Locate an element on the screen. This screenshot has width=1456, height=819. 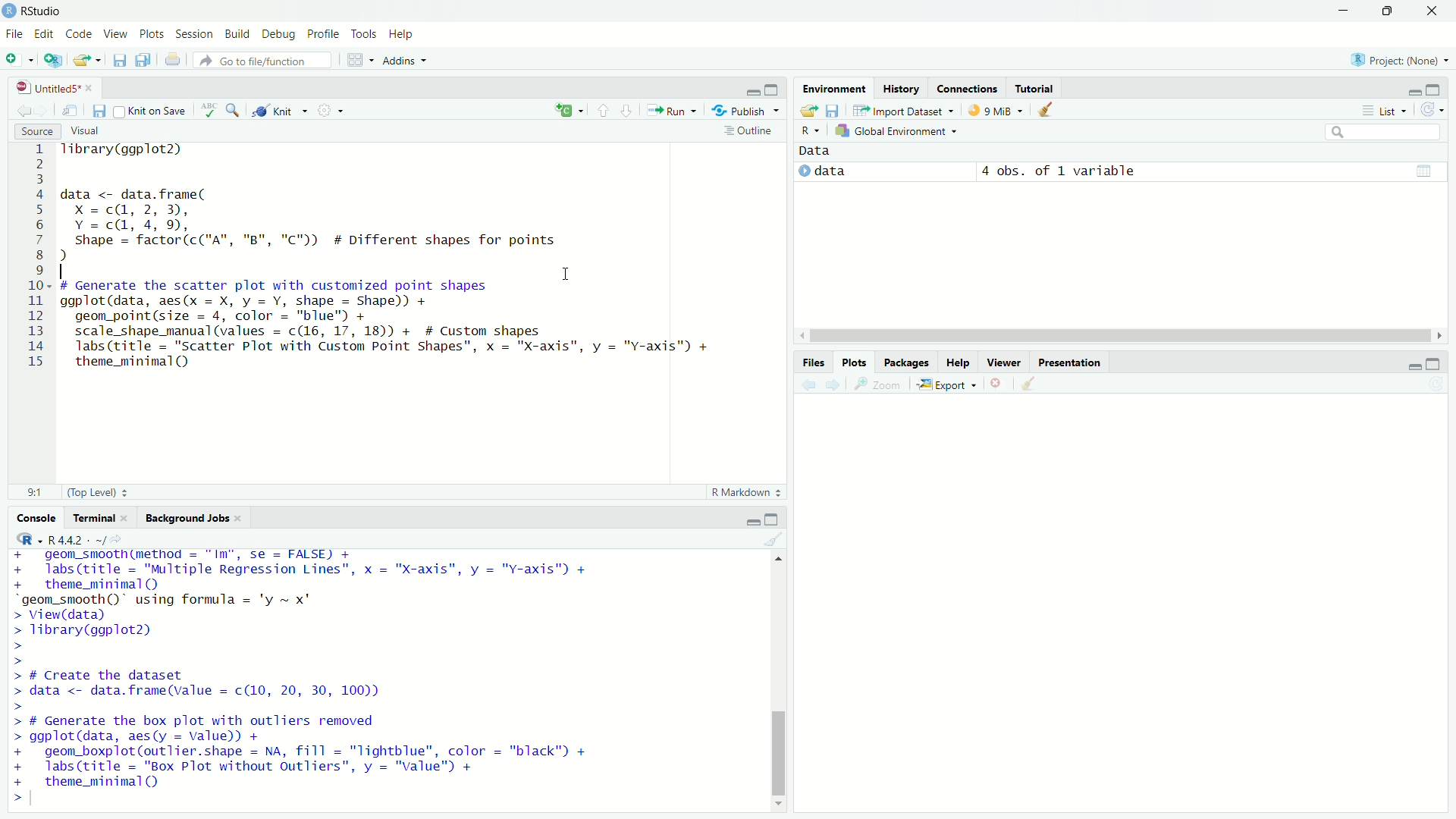
Help is located at coordinates (401, 33).